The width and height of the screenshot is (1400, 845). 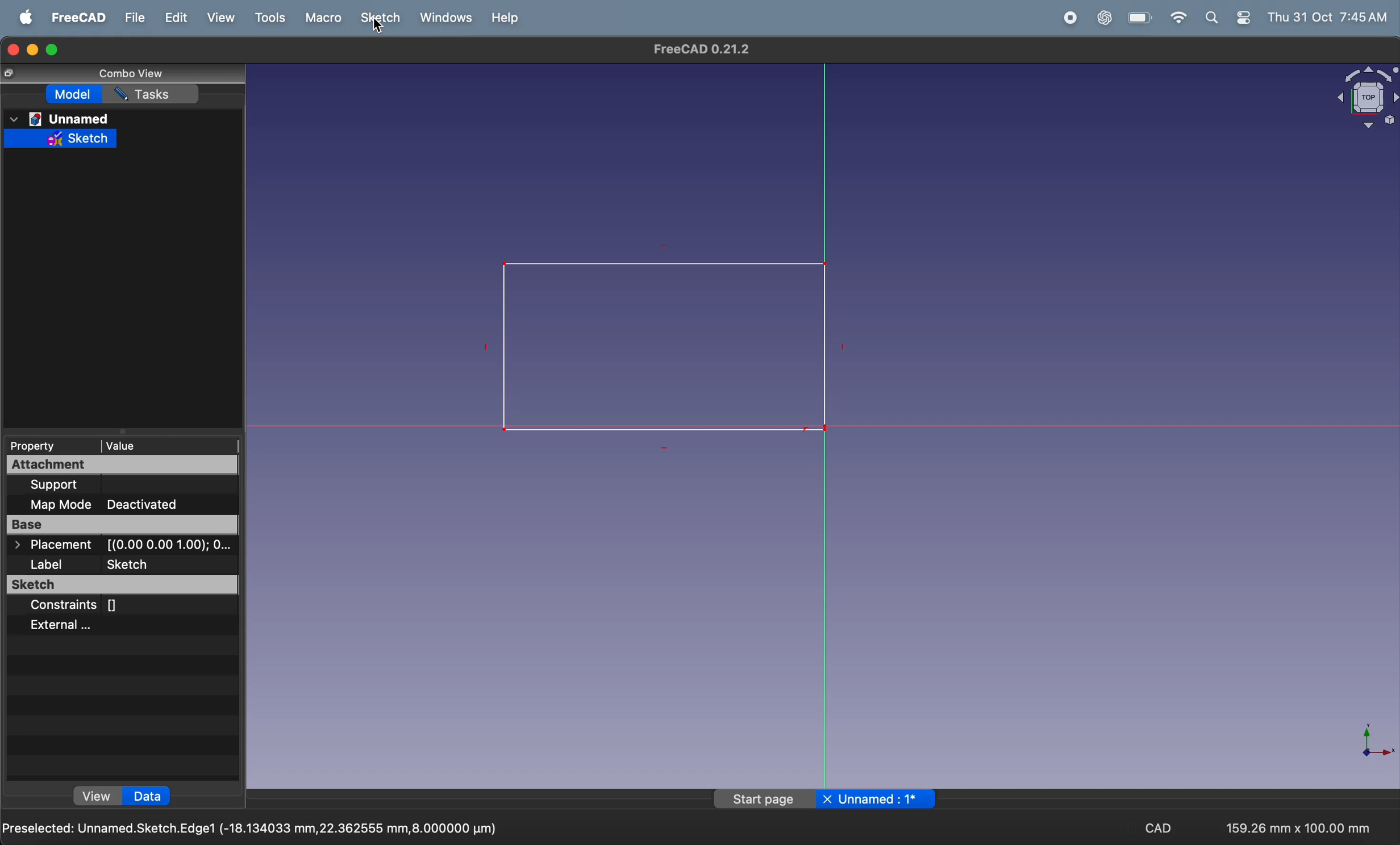 I want to click on page name, so click(x=824, y=801).